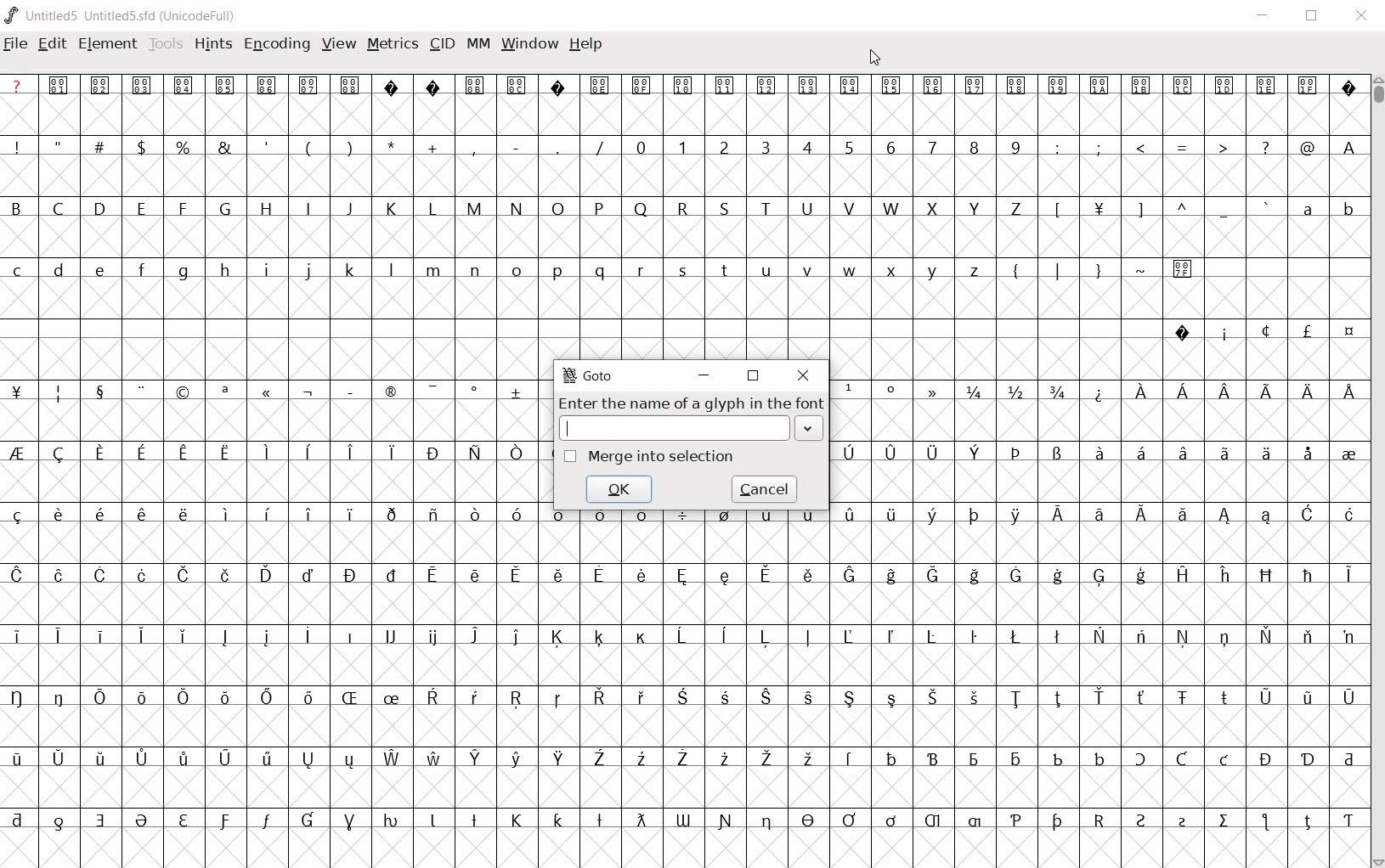  Describe the element at coordinates (1015, 516) in the screenshot. I see `Symbol` at that location.